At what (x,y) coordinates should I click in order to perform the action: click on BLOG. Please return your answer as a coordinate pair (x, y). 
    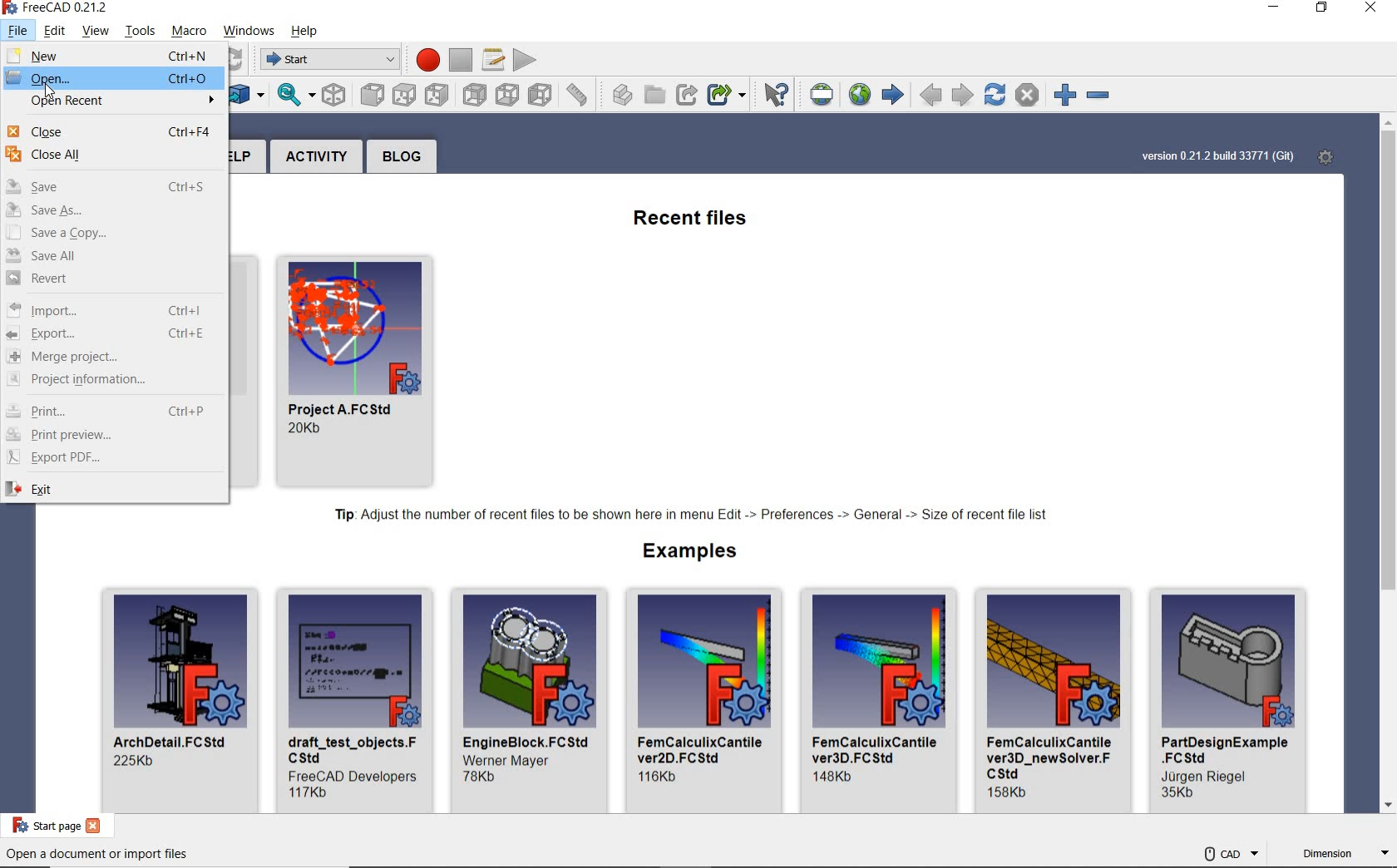
    Looking at the image, I should click on (402, 156).